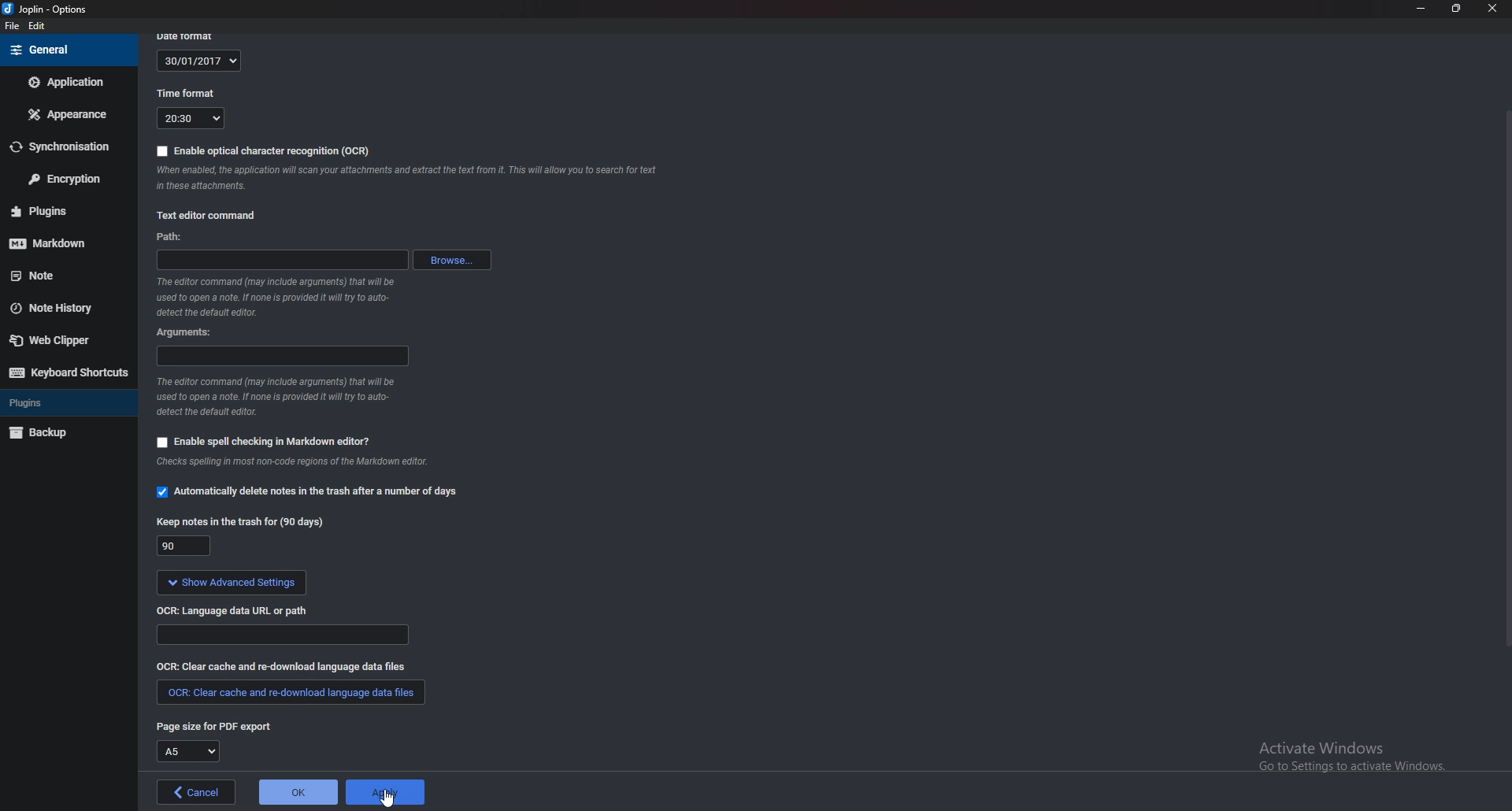 The width and height of the screenshot is (1512, 811). Describe the element at coordinates (1421, 10) in the screenshot. I see `minimize` at that location.